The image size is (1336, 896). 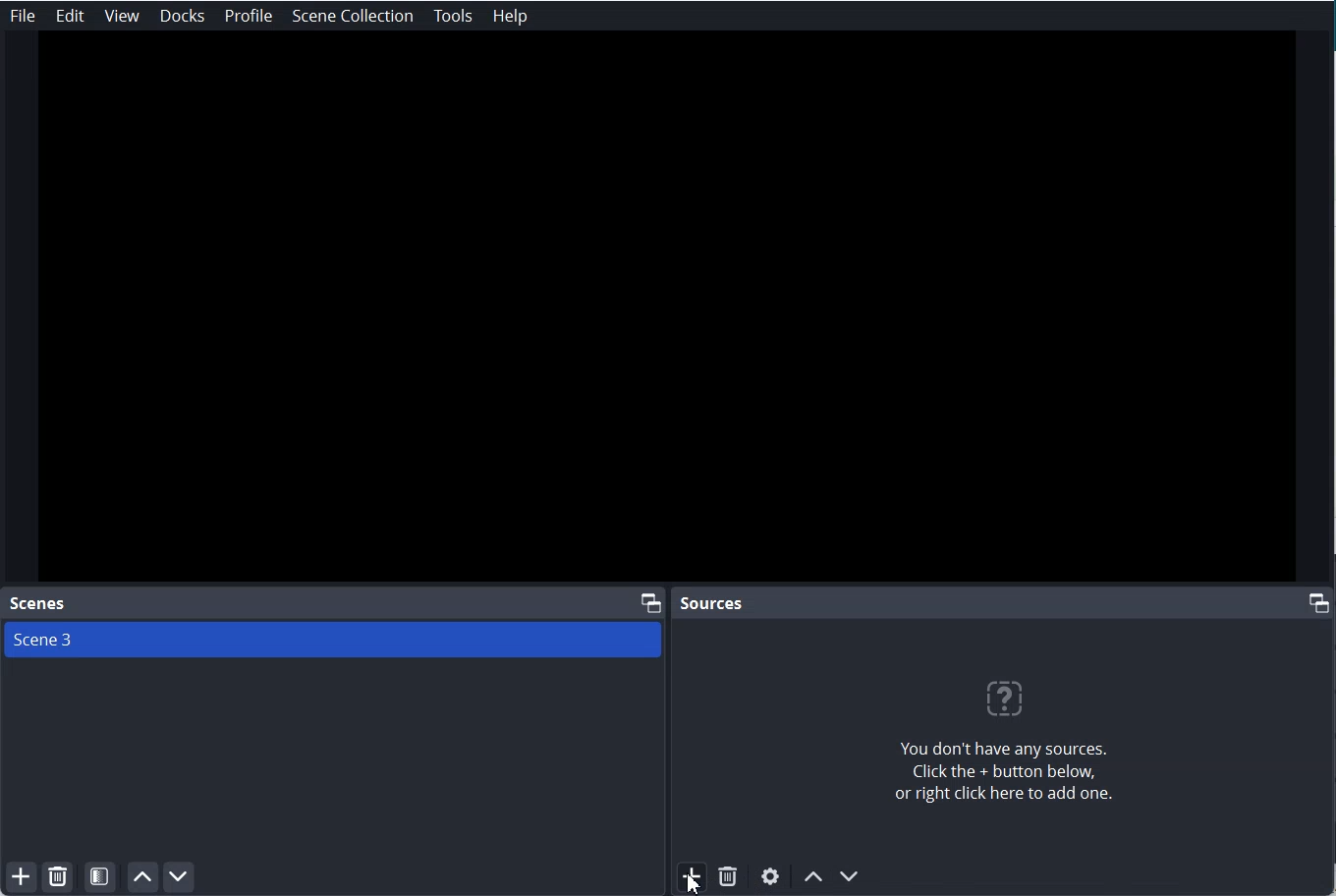 What do you see at coordinates (1319, 601) in the screenshot?
I see `Maximize` at bounding box center [1319, 601].